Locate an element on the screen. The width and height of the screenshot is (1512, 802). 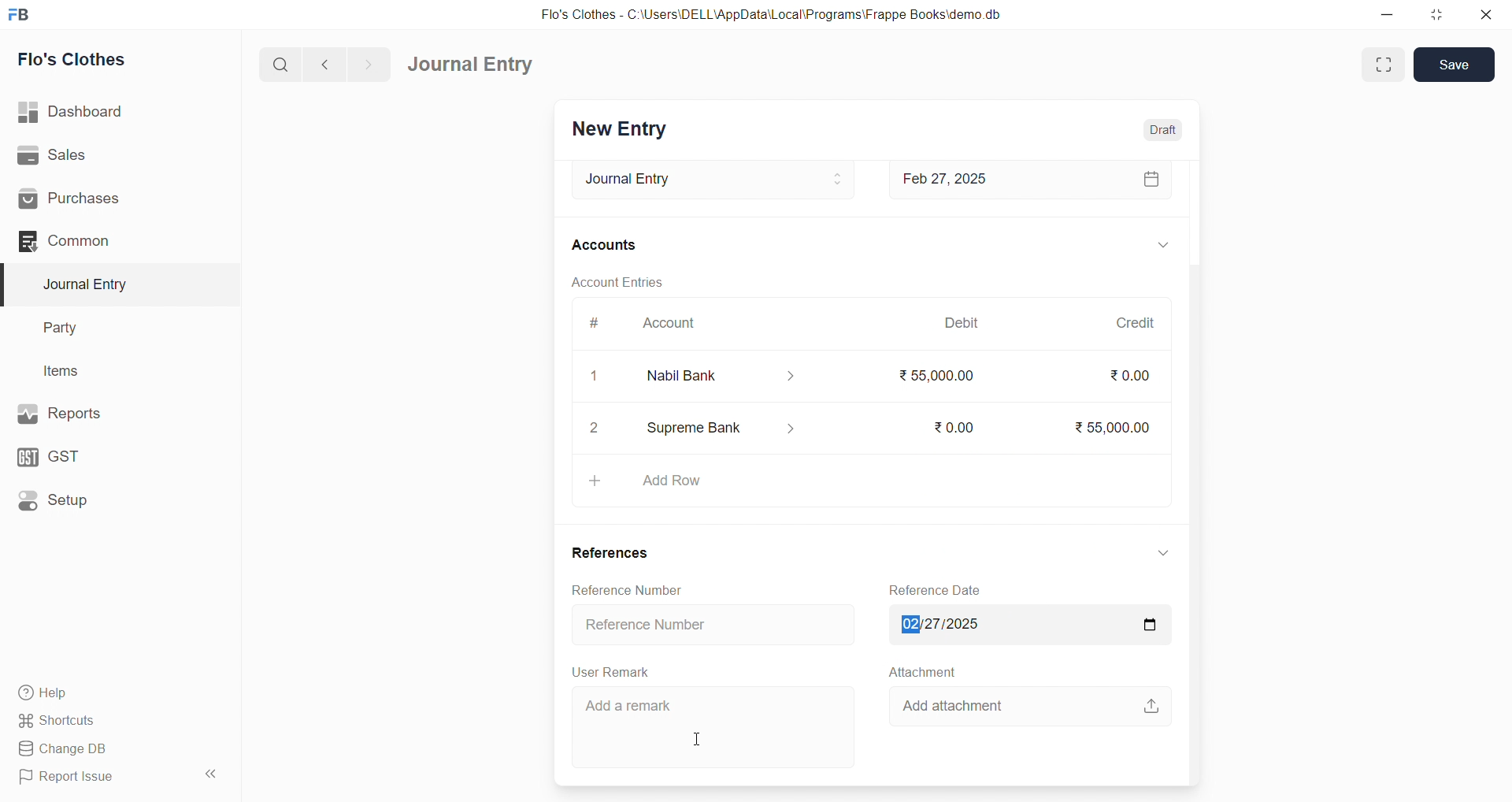
# is located at coordinates (596, 326).